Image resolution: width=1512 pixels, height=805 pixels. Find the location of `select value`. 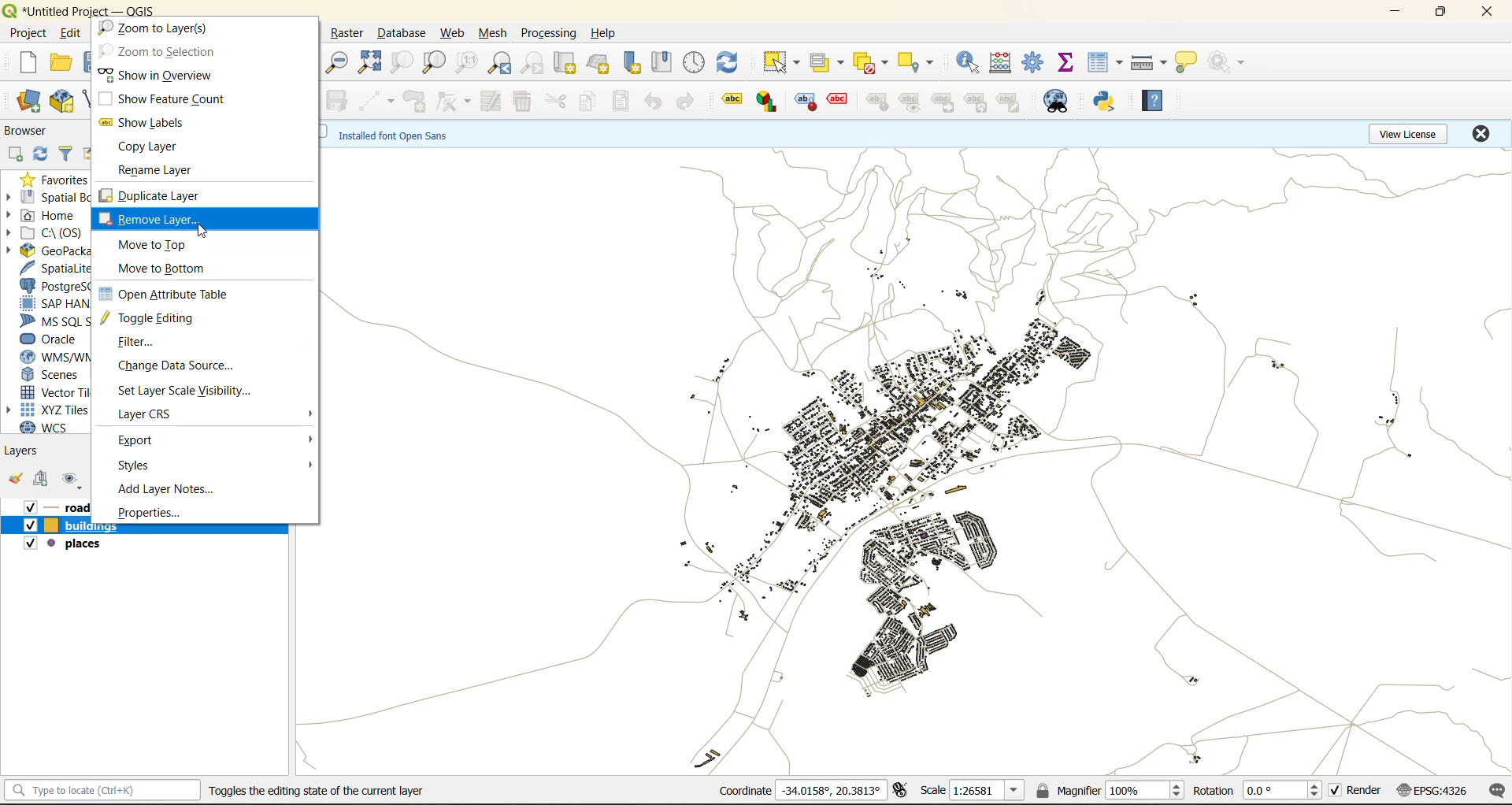

select value is located at coordinates (830, 63).